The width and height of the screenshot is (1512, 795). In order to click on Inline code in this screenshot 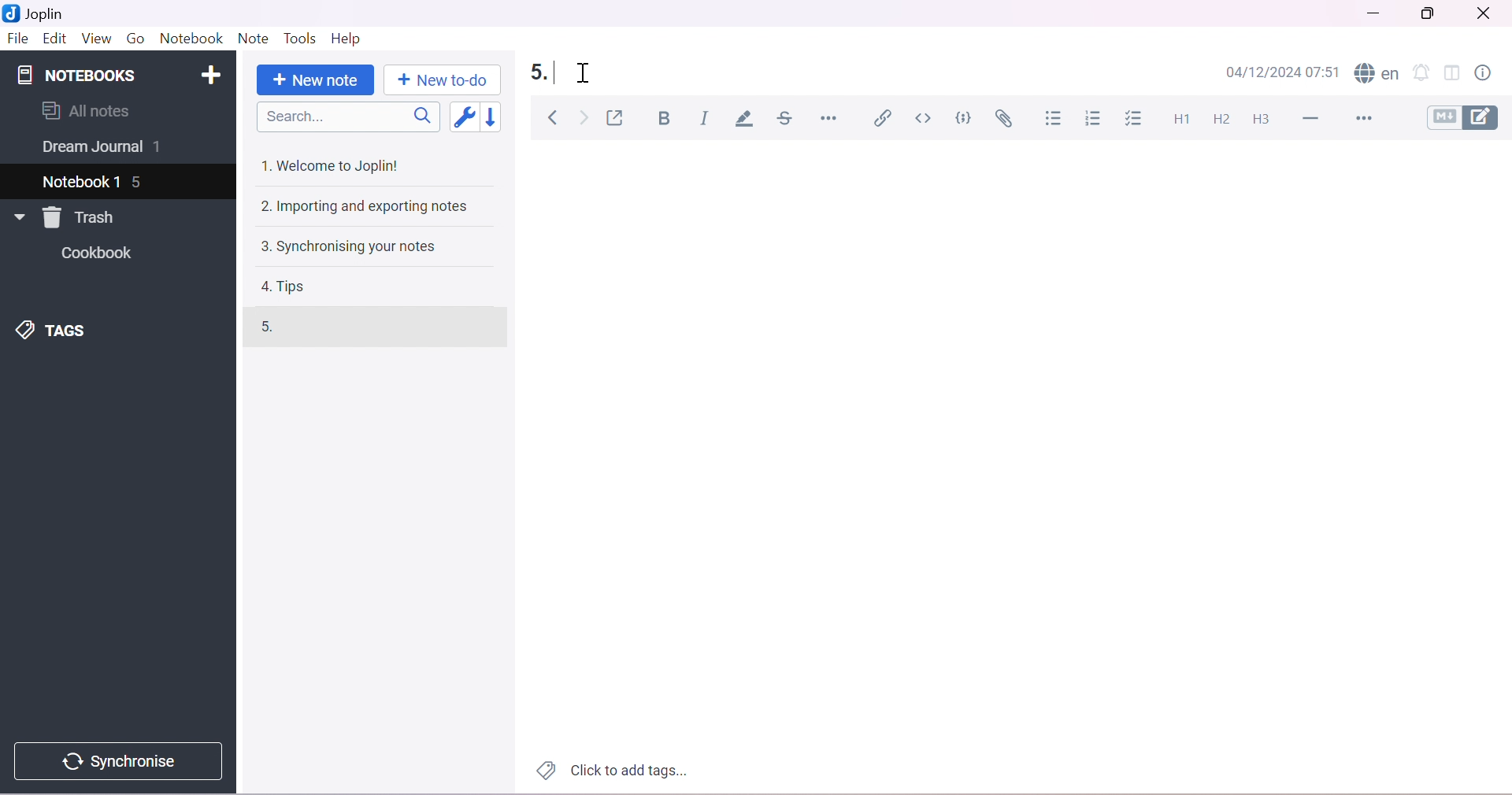, I will do `click(925, 118)`.